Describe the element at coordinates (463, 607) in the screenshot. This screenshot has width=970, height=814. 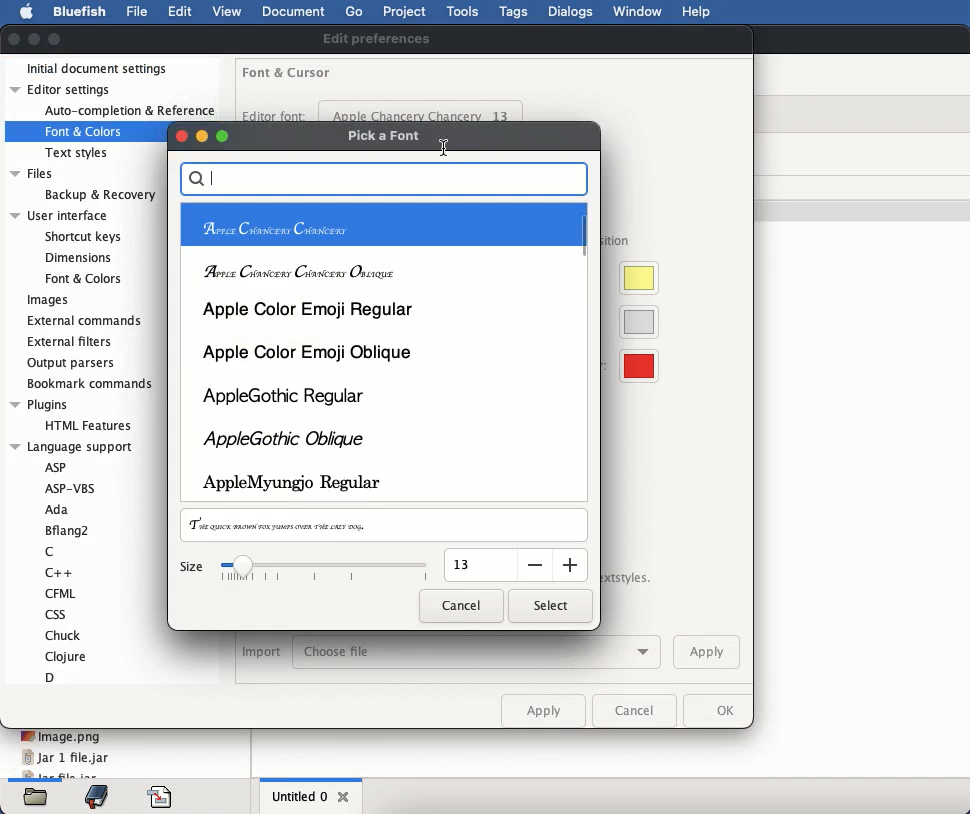
I see `cancel` at that location.